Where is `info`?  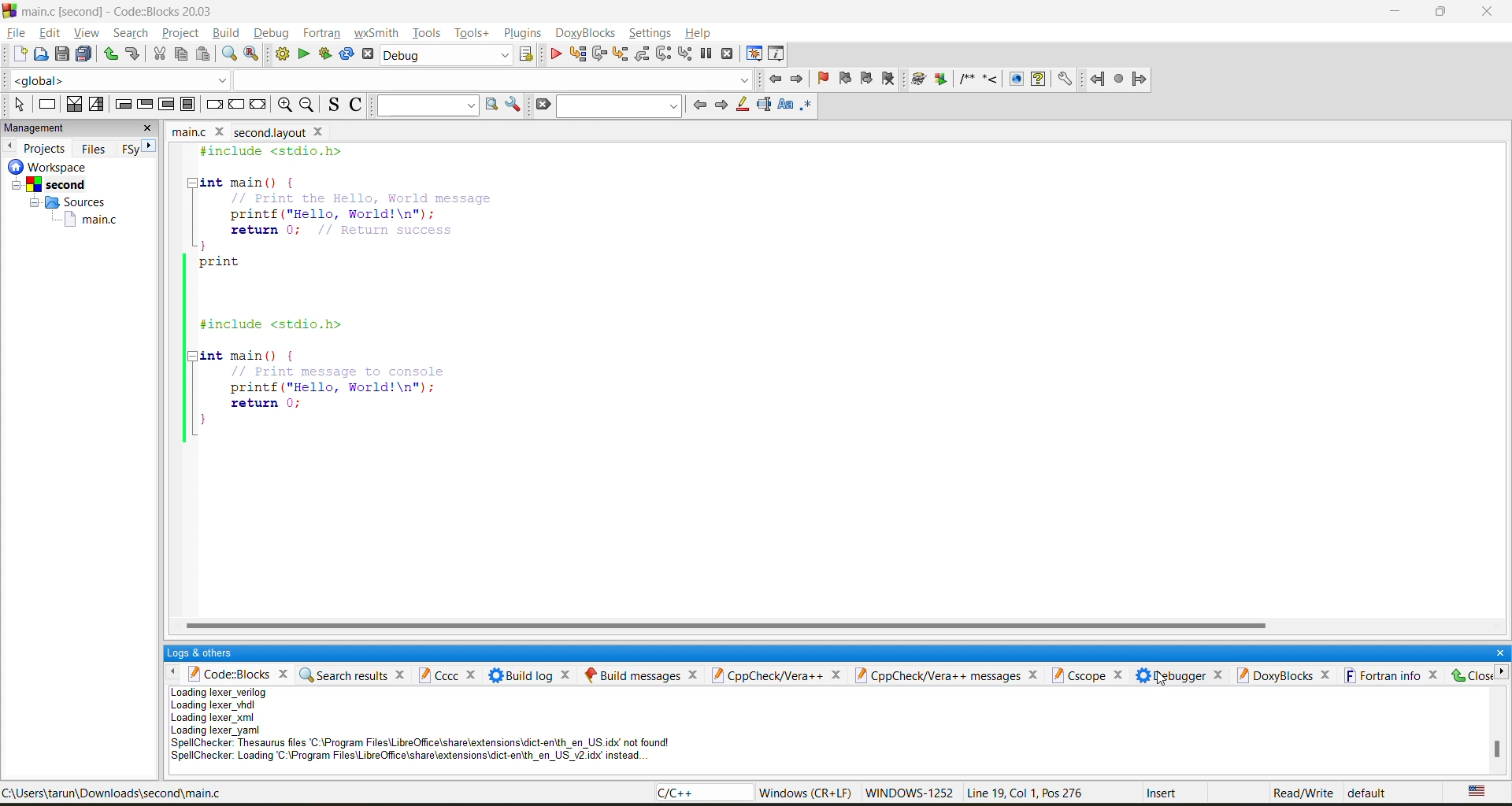 info is located at coordinates (421, 730).